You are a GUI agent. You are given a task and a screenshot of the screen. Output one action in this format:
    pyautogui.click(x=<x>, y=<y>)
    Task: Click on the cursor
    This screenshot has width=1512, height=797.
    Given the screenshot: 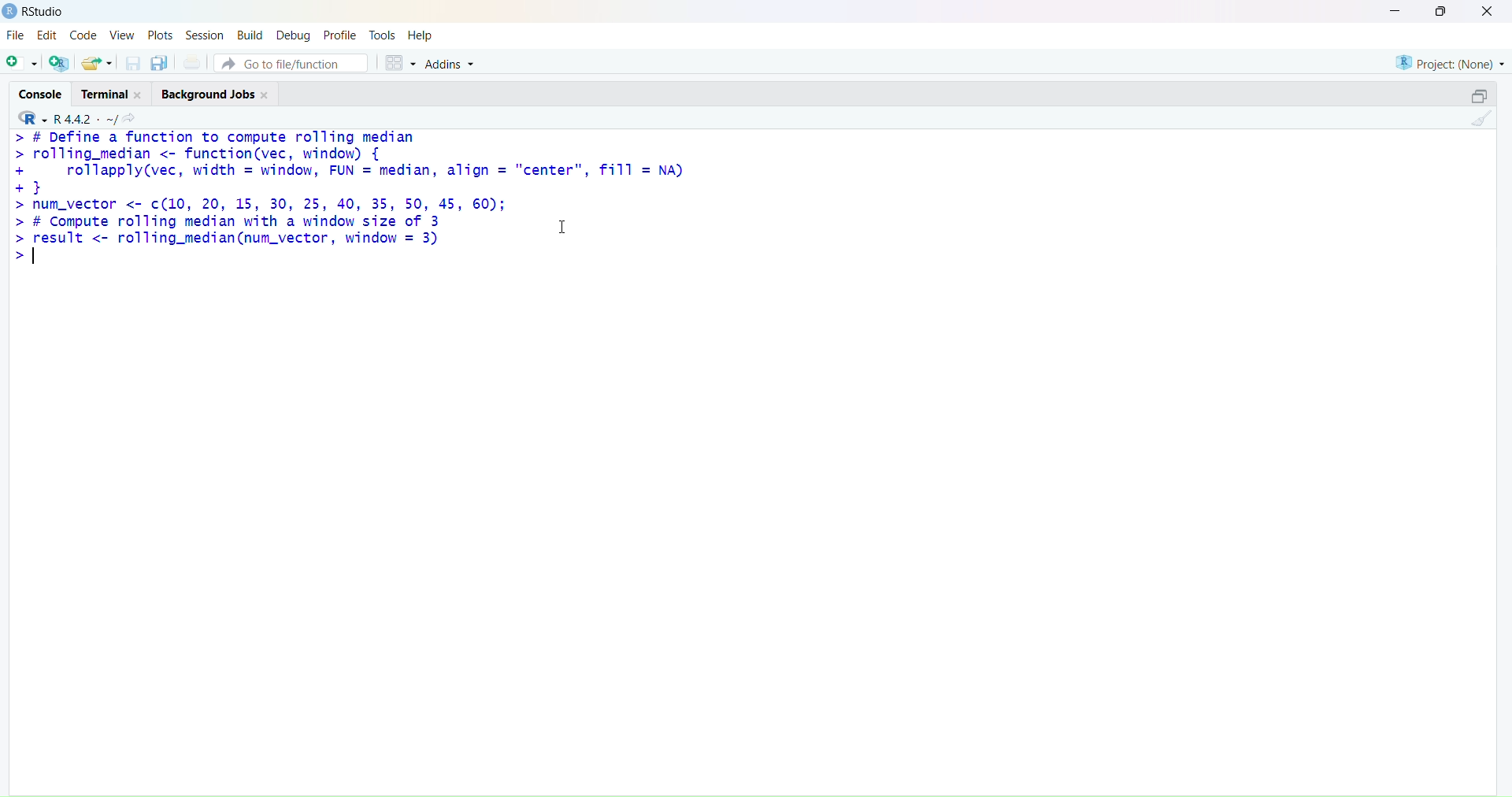 What is the action you would take?
    pyautogui.click(x=564, y=226)
    